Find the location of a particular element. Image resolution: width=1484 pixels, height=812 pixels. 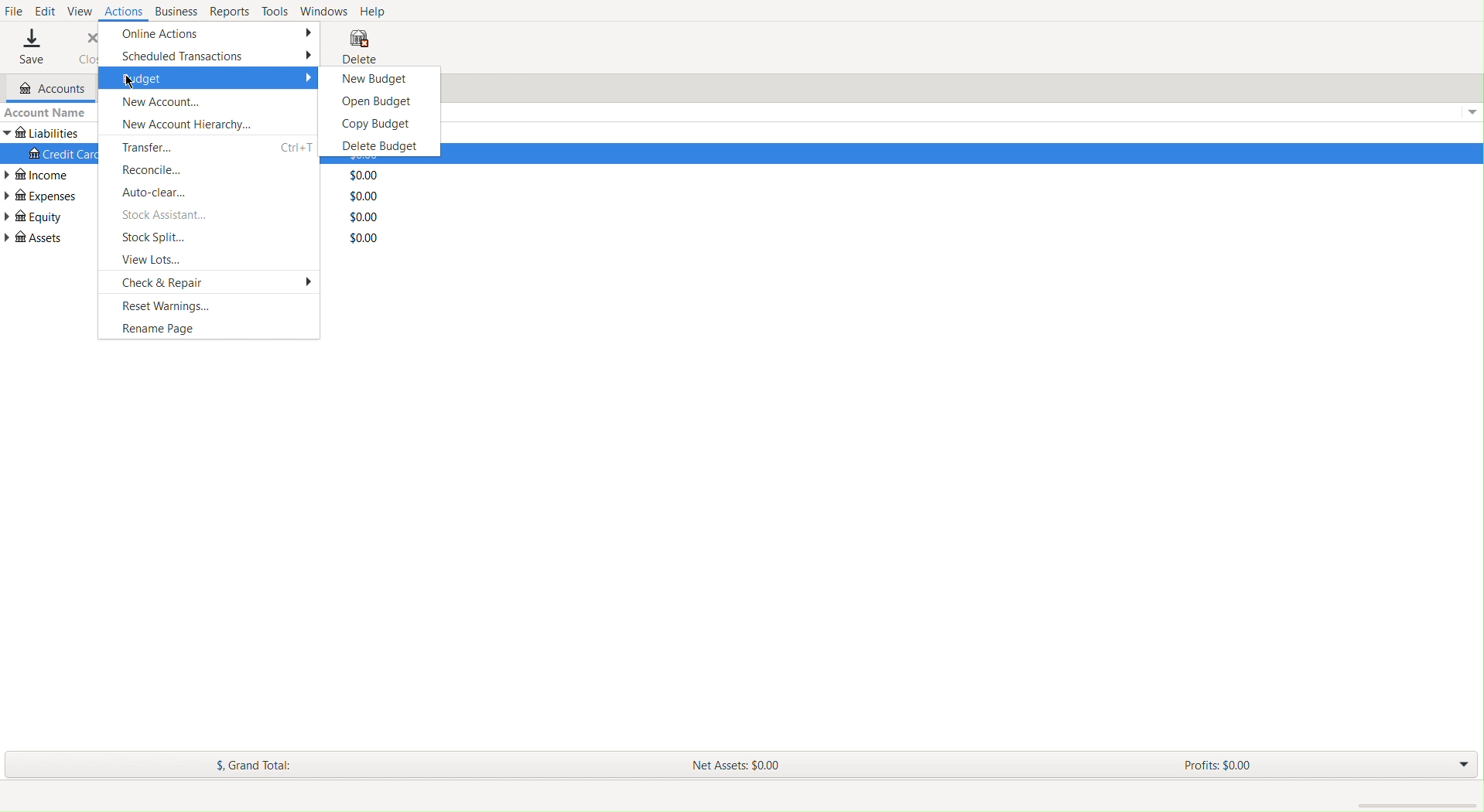

Profits is located at coordinates (1217, 764).